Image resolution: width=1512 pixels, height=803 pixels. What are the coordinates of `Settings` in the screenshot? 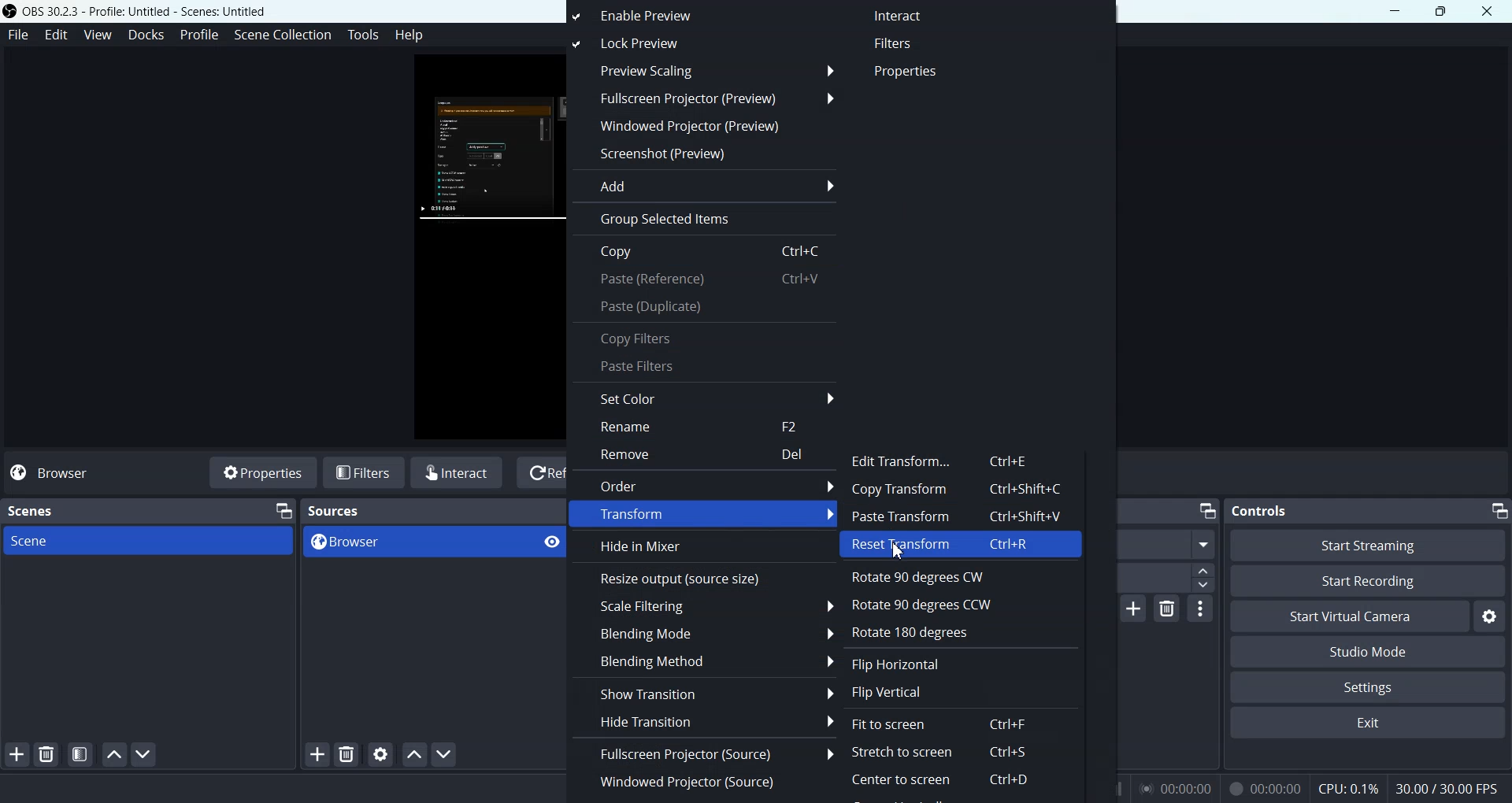 It's located at (1489, 617).